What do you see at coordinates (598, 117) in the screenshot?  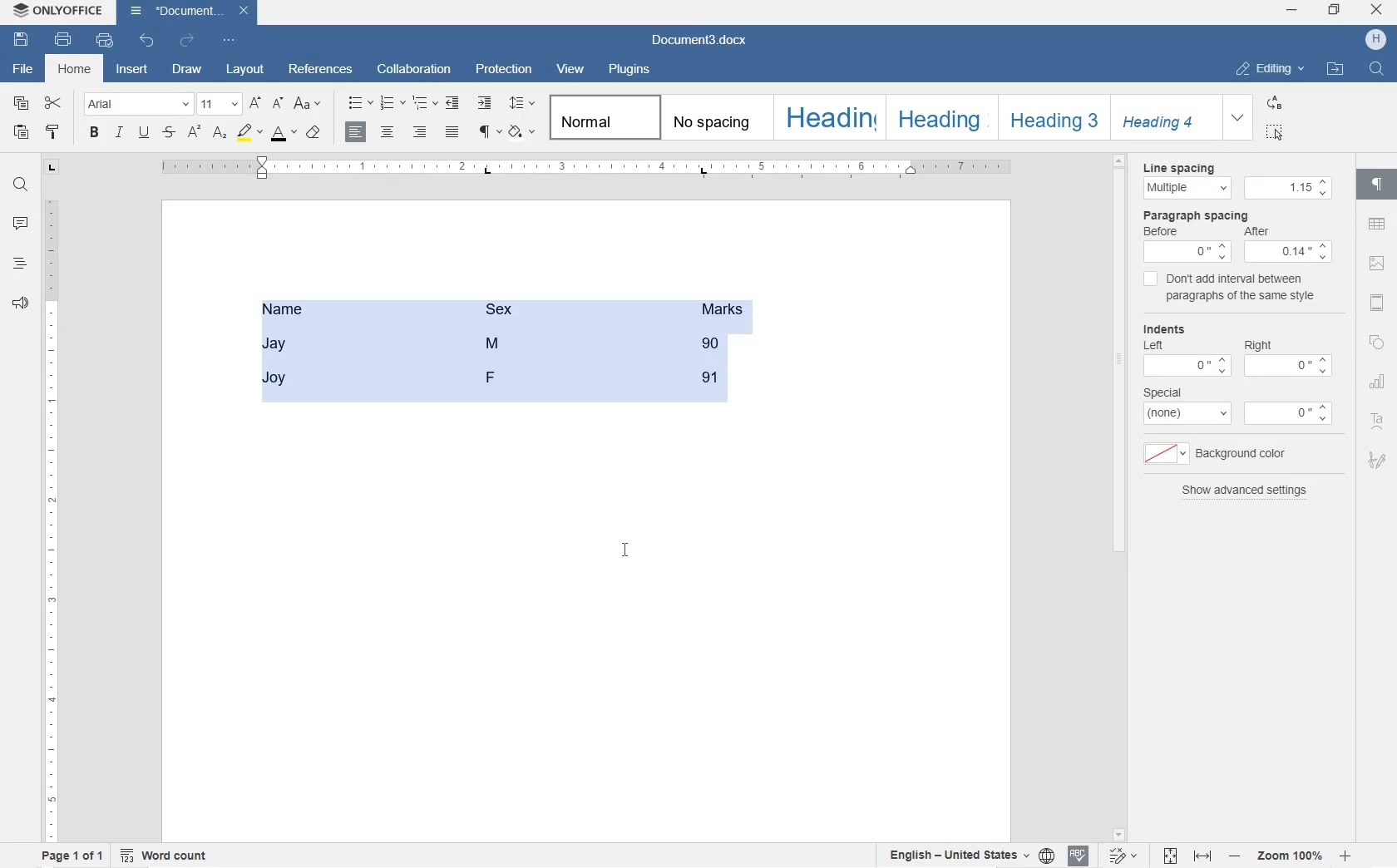 I see `NORMAL` at bounding box center [598, 117].